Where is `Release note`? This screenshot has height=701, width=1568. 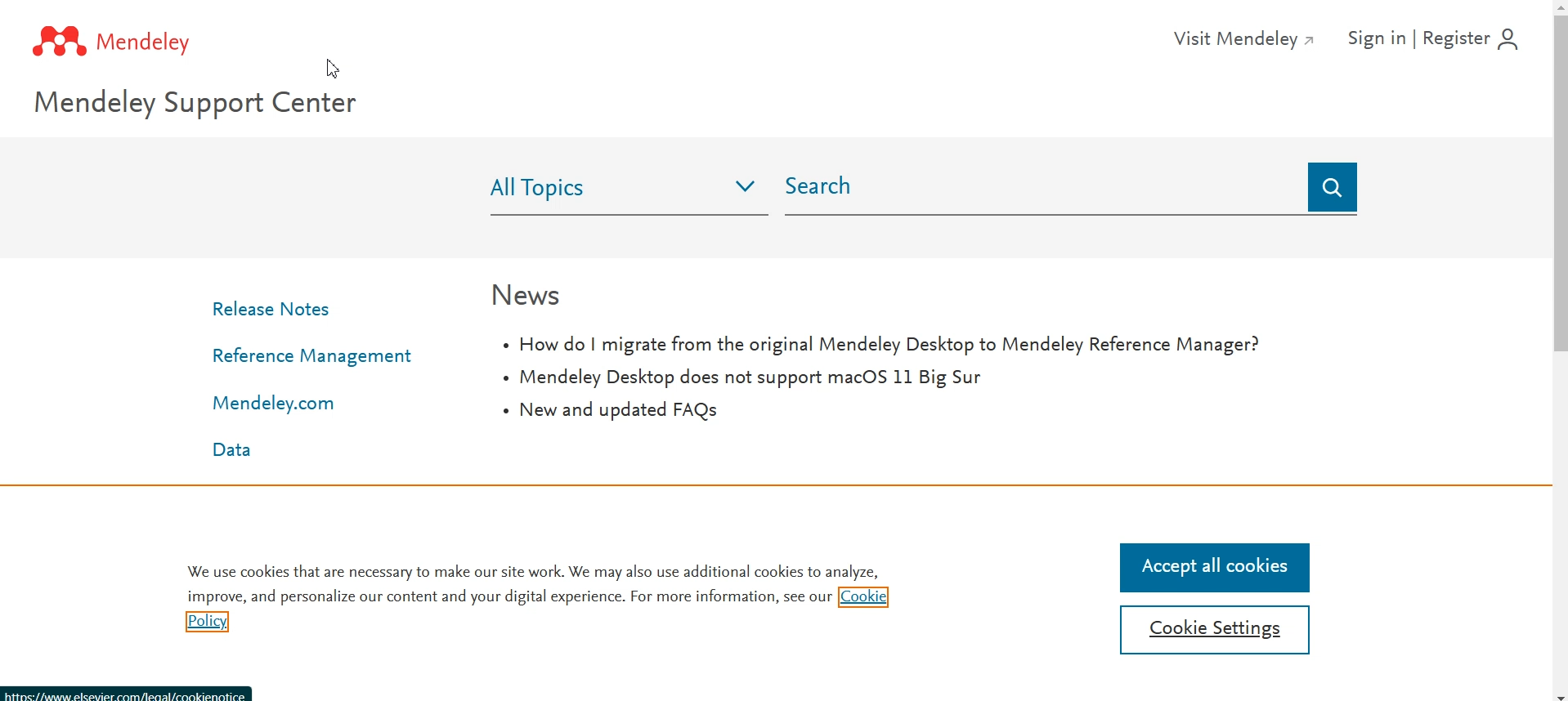
Release note is located at coordinates (275, 311).